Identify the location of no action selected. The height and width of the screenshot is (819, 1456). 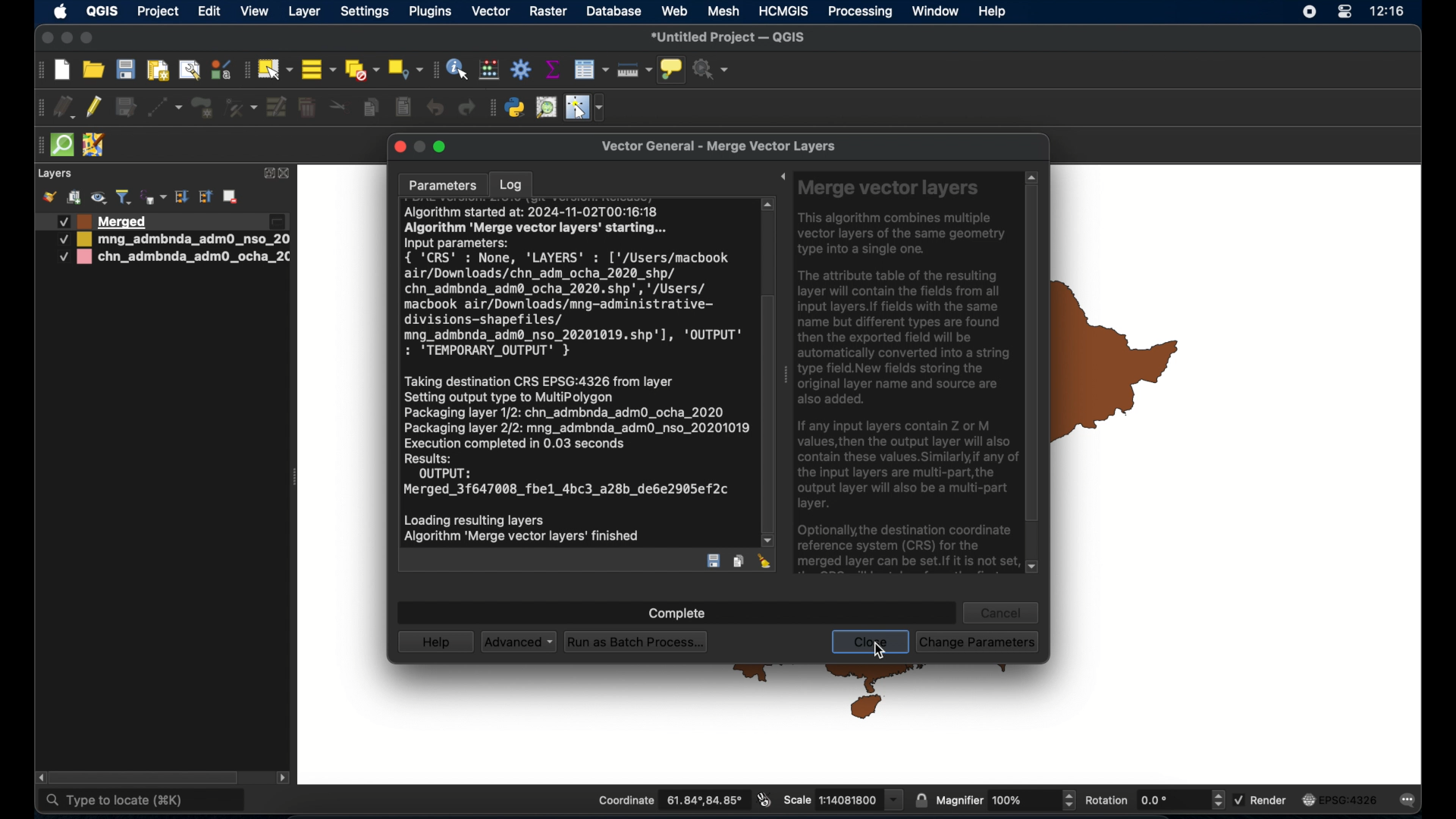
(711, 70).